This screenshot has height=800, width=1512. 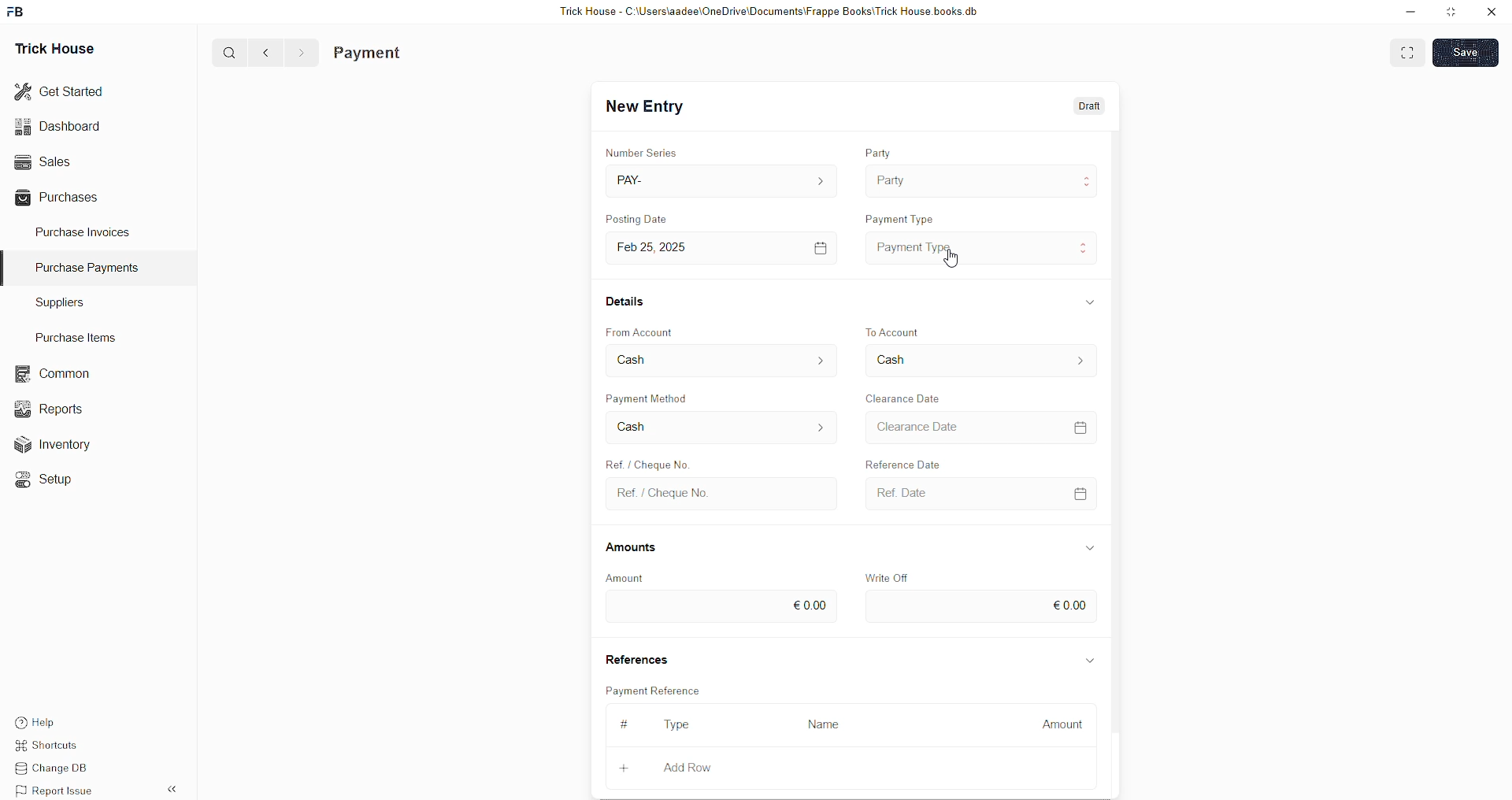 What do you see at coordinates (625, 577) in the screenshot?
I see `Amount` at bounding box center [625, 577].